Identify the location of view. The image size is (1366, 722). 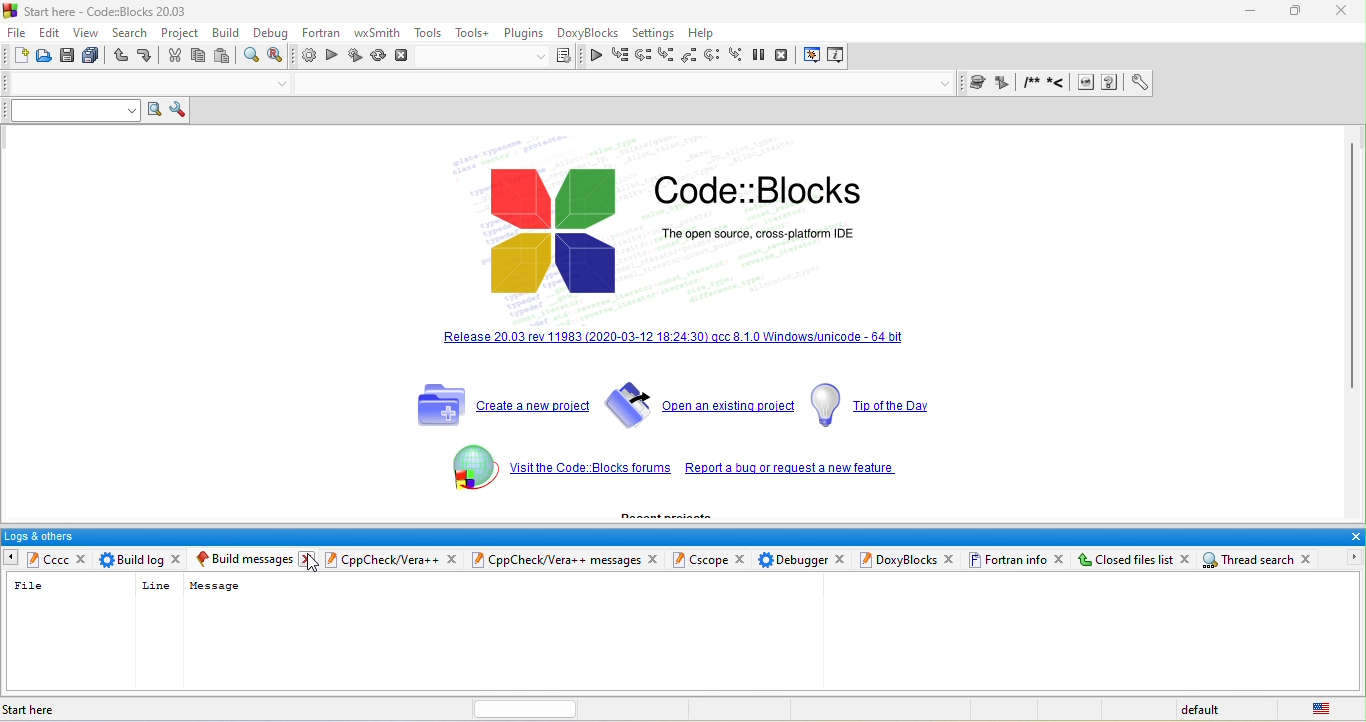
(90, 34).